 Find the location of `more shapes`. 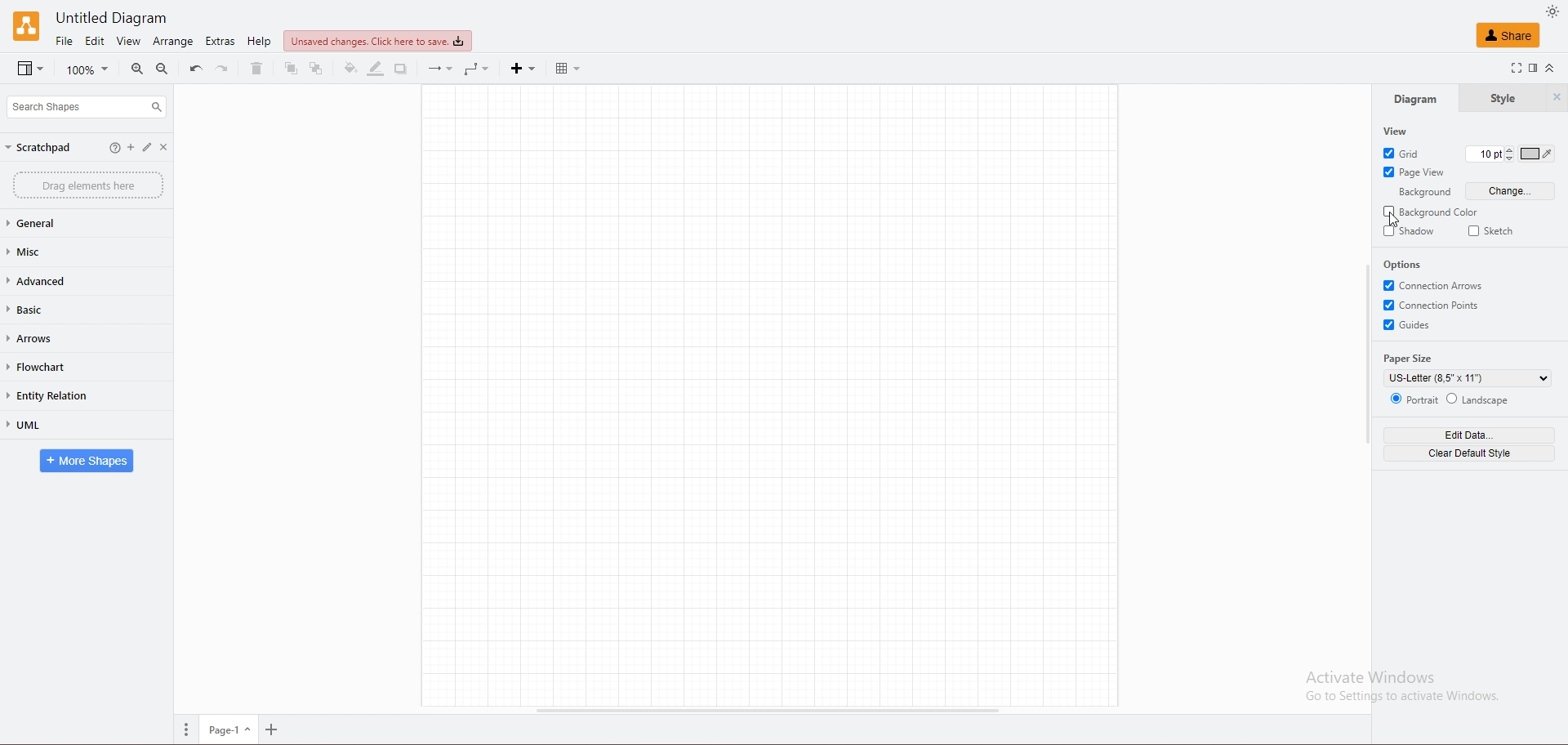

more shapes is located at coordinates (87, 462).